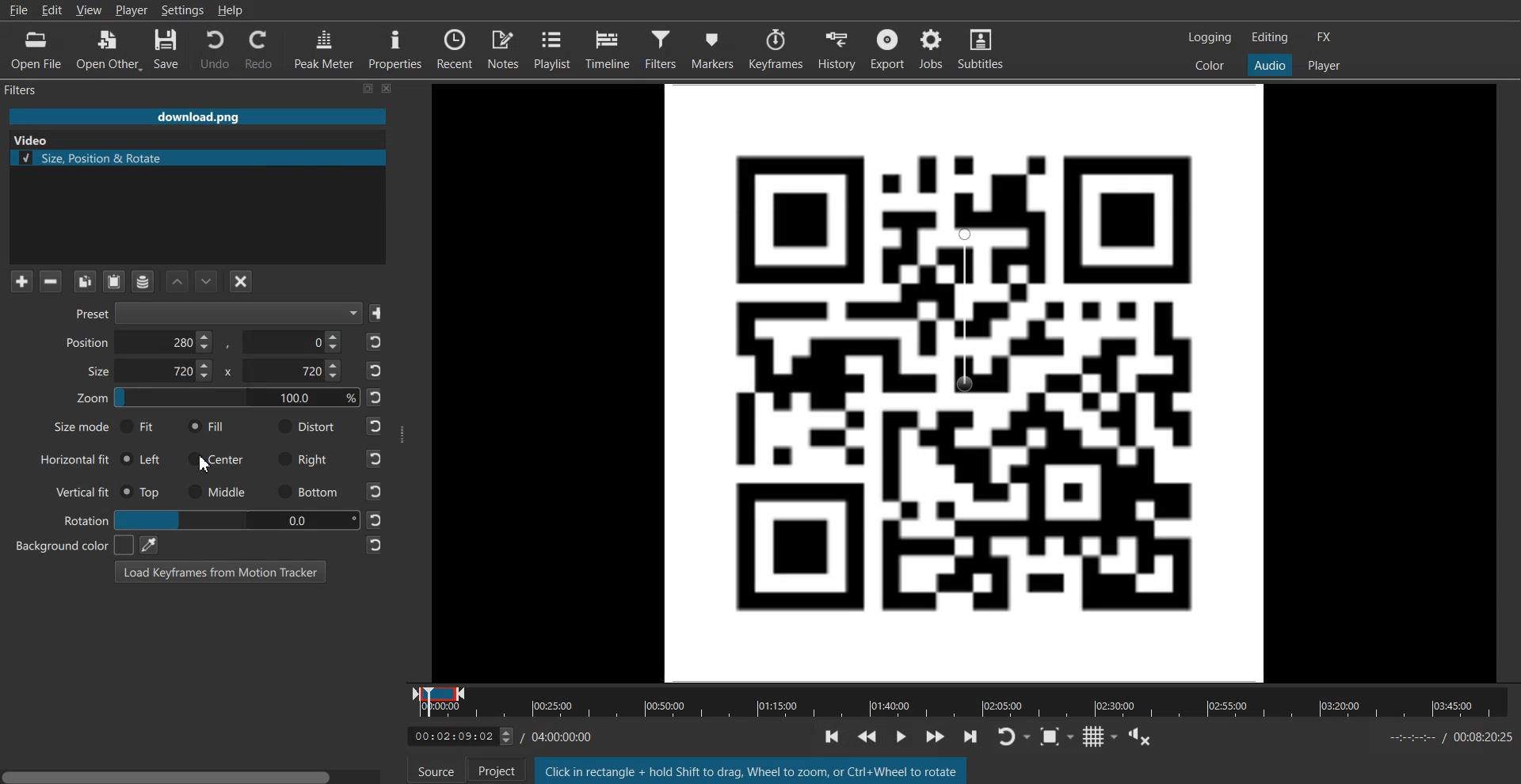  I want to click on Preset, so click(213, 314).